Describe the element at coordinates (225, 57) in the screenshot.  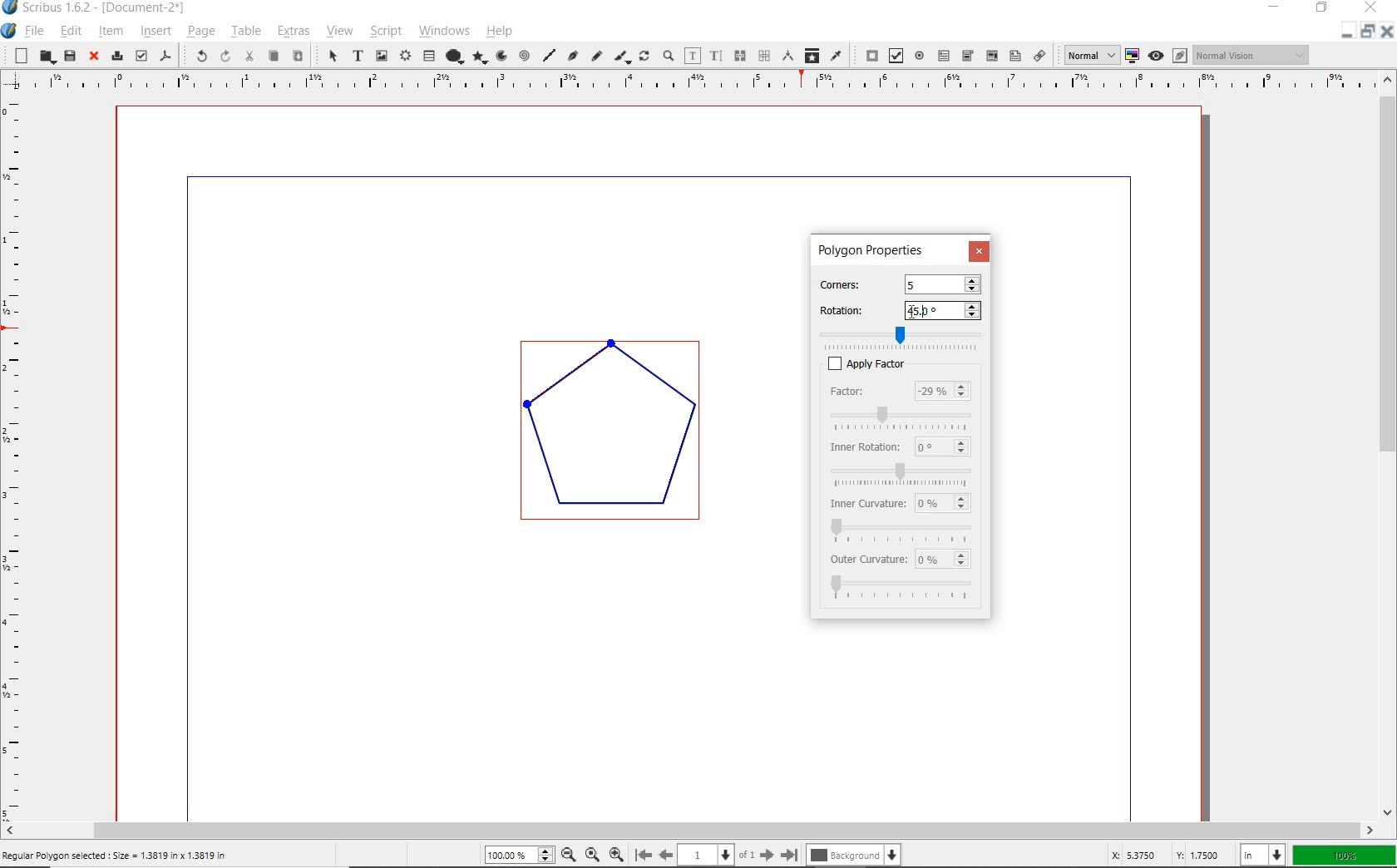
I see `redo` at that location.